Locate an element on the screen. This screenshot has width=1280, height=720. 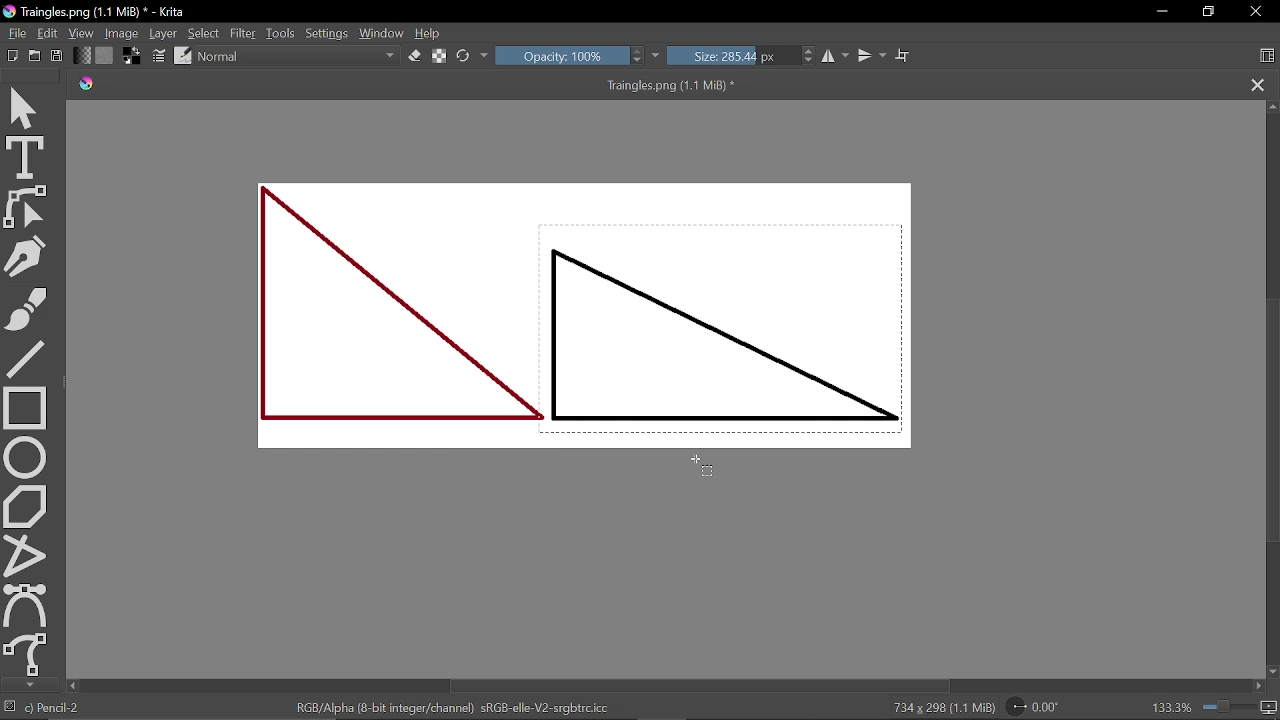
Filter is located at coordinates (243, 33).